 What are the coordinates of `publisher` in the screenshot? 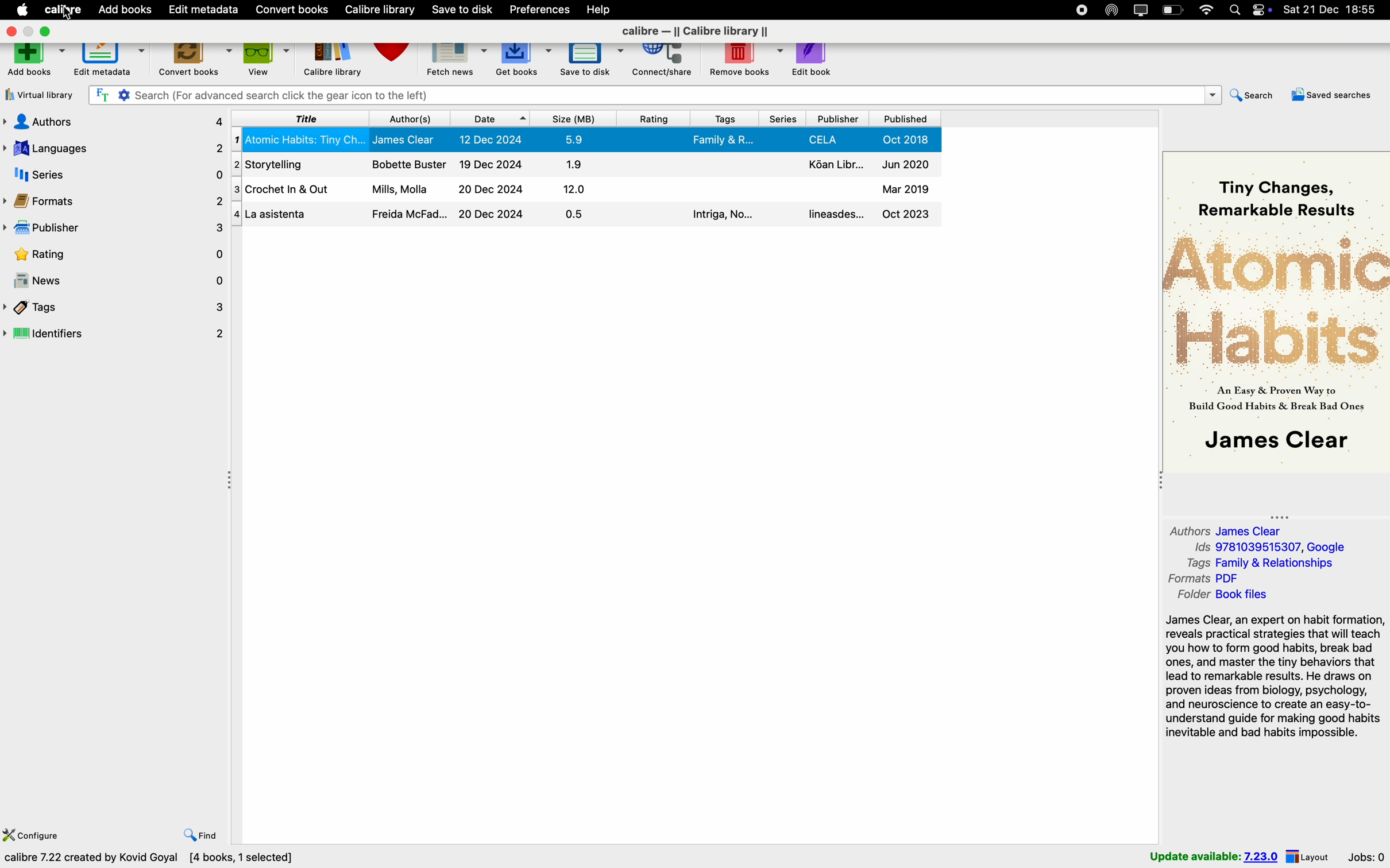 It's located at (838, 119).